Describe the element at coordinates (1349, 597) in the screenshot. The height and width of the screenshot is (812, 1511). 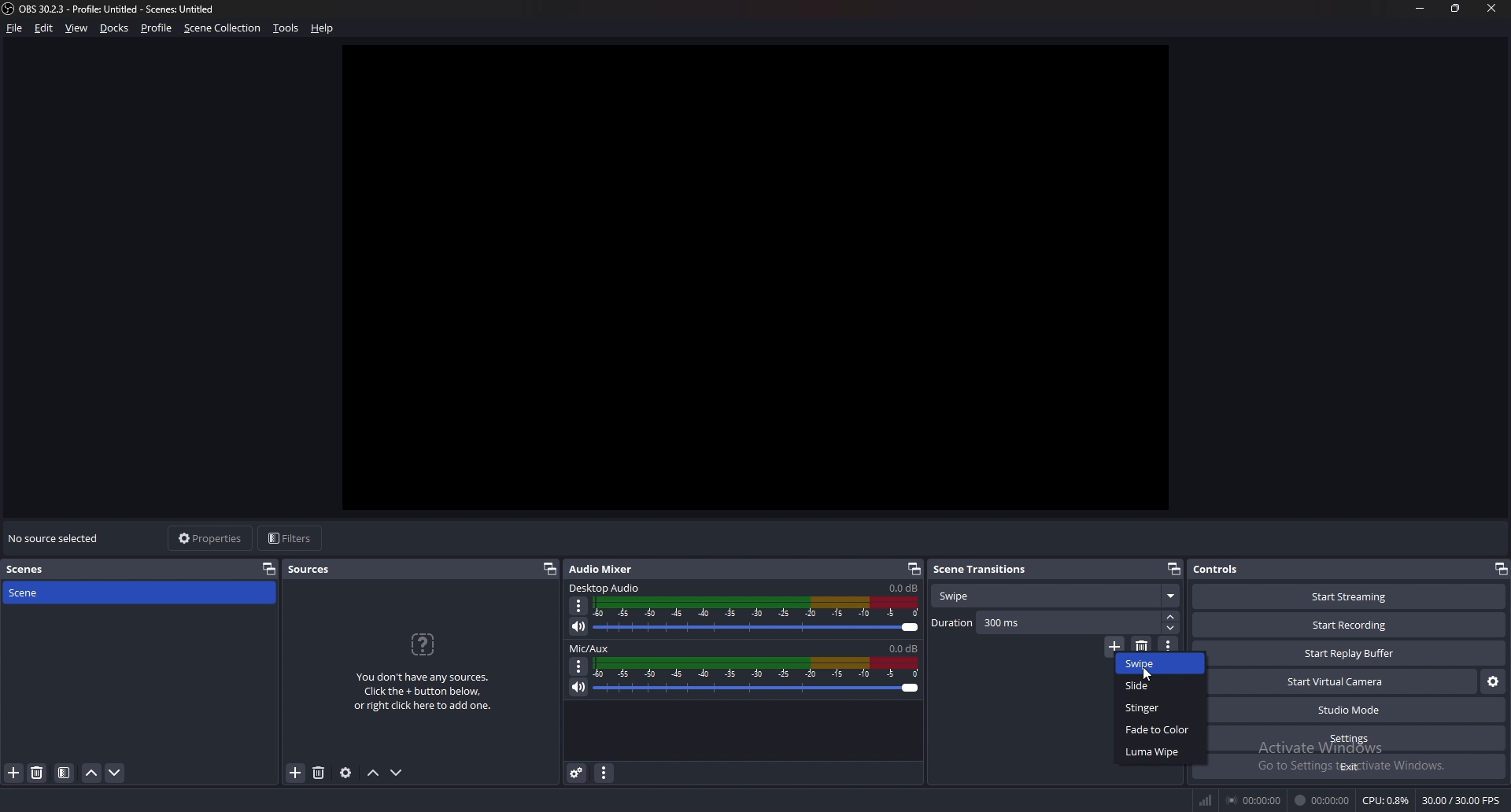
I see `start streaming` at that location.